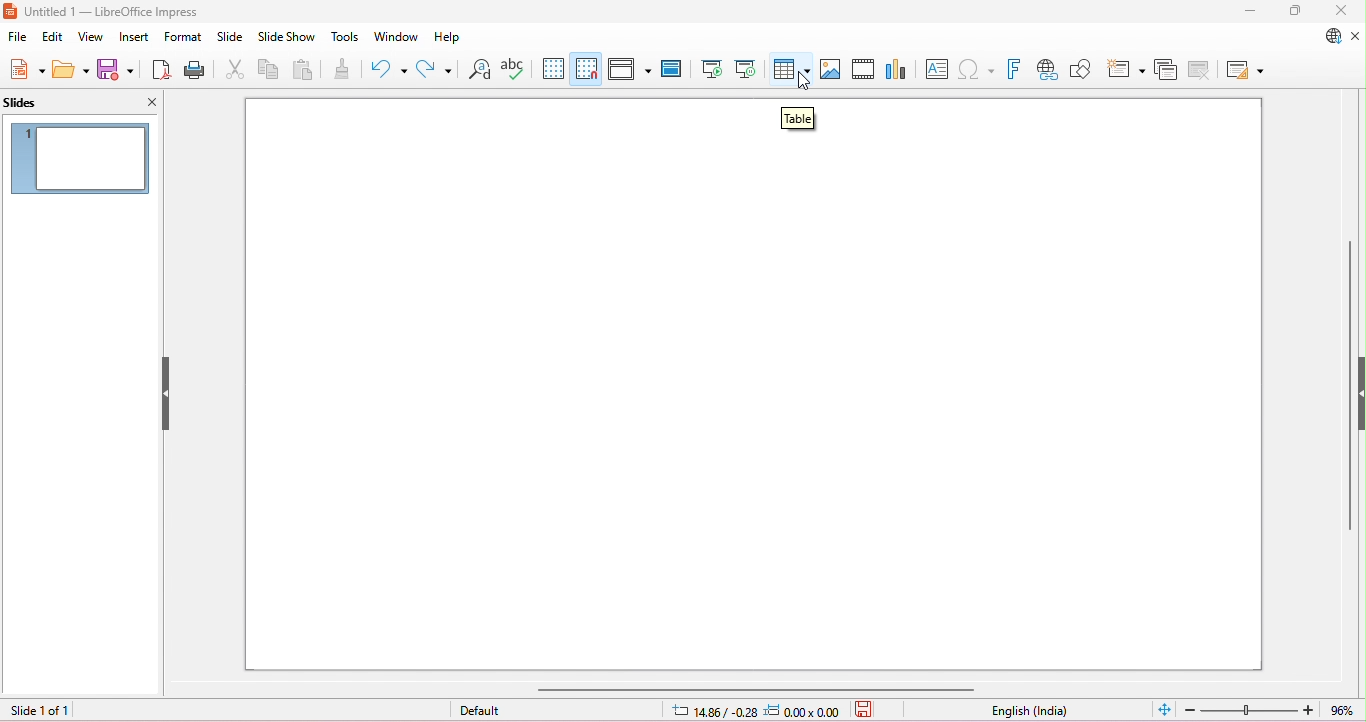 The image size is (1366, 722). I want to click on default, so click(482, 710).